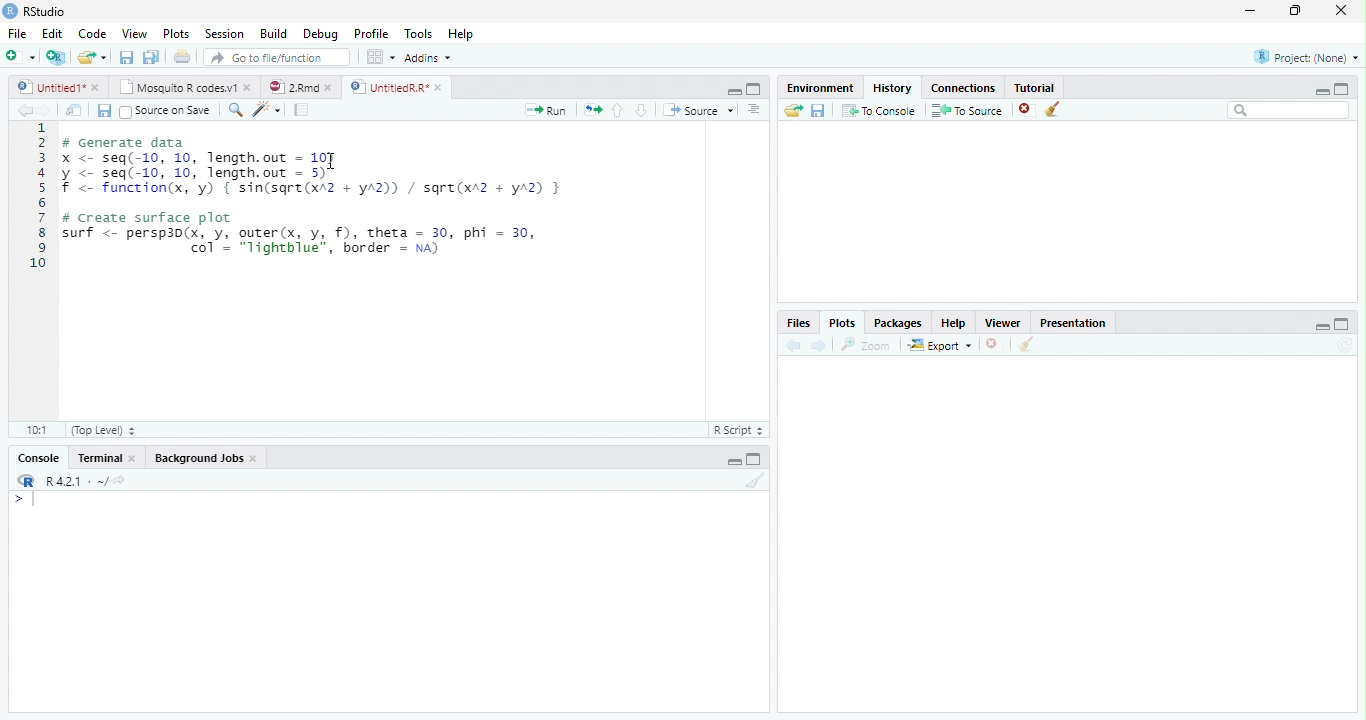 This screenshot has width=1366, height=720. What do you see at coordinates (1295, 10) in the screenshot?
I see `restore` at bounding box center [1295, 10].